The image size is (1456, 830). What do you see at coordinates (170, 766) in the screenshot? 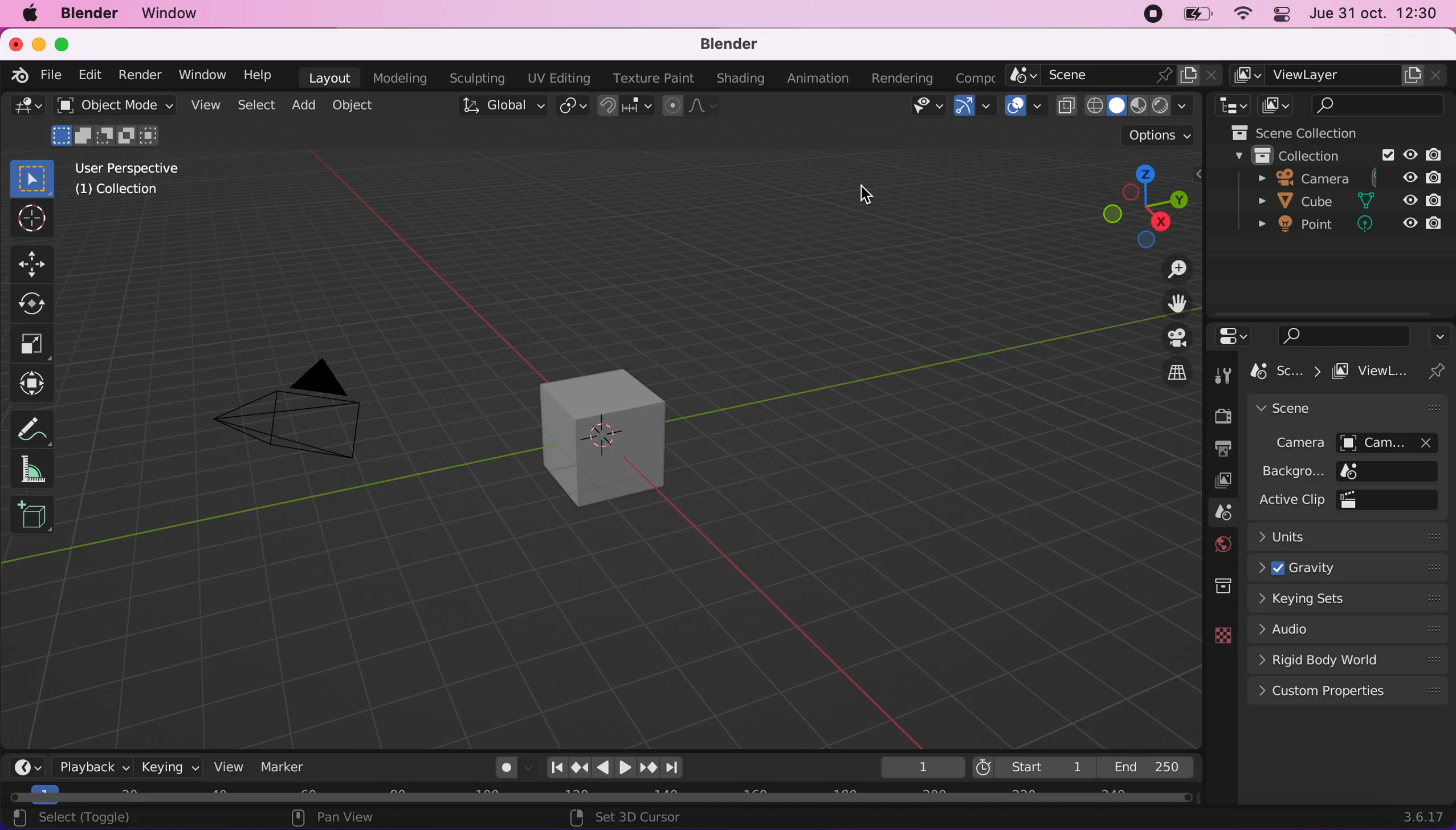
I see `keying` at bounding box center [170, 766].